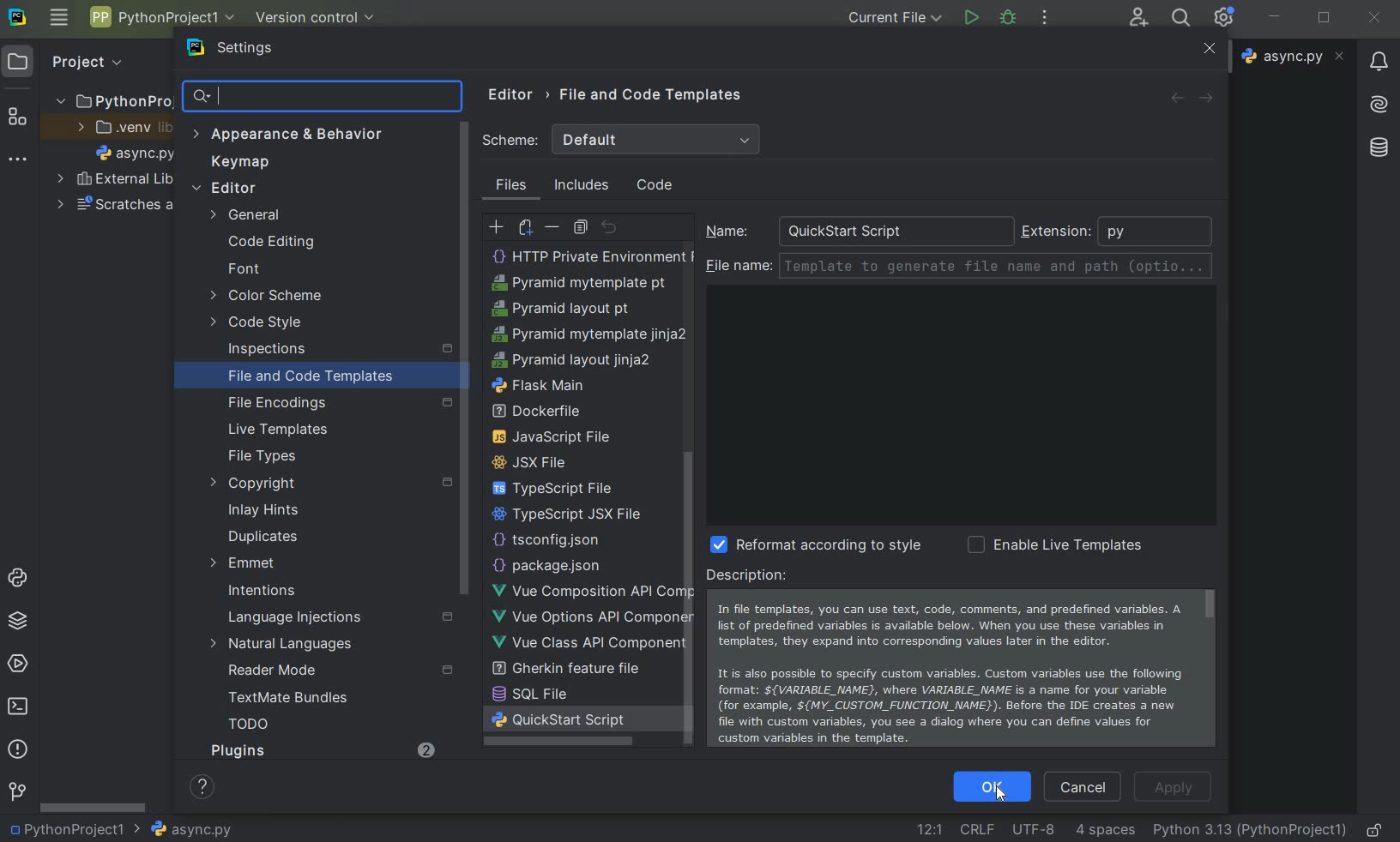 Image resolution: width=1400 pixels, height=842 pixels. I want to click on File Encoding, so click(1035, 829).